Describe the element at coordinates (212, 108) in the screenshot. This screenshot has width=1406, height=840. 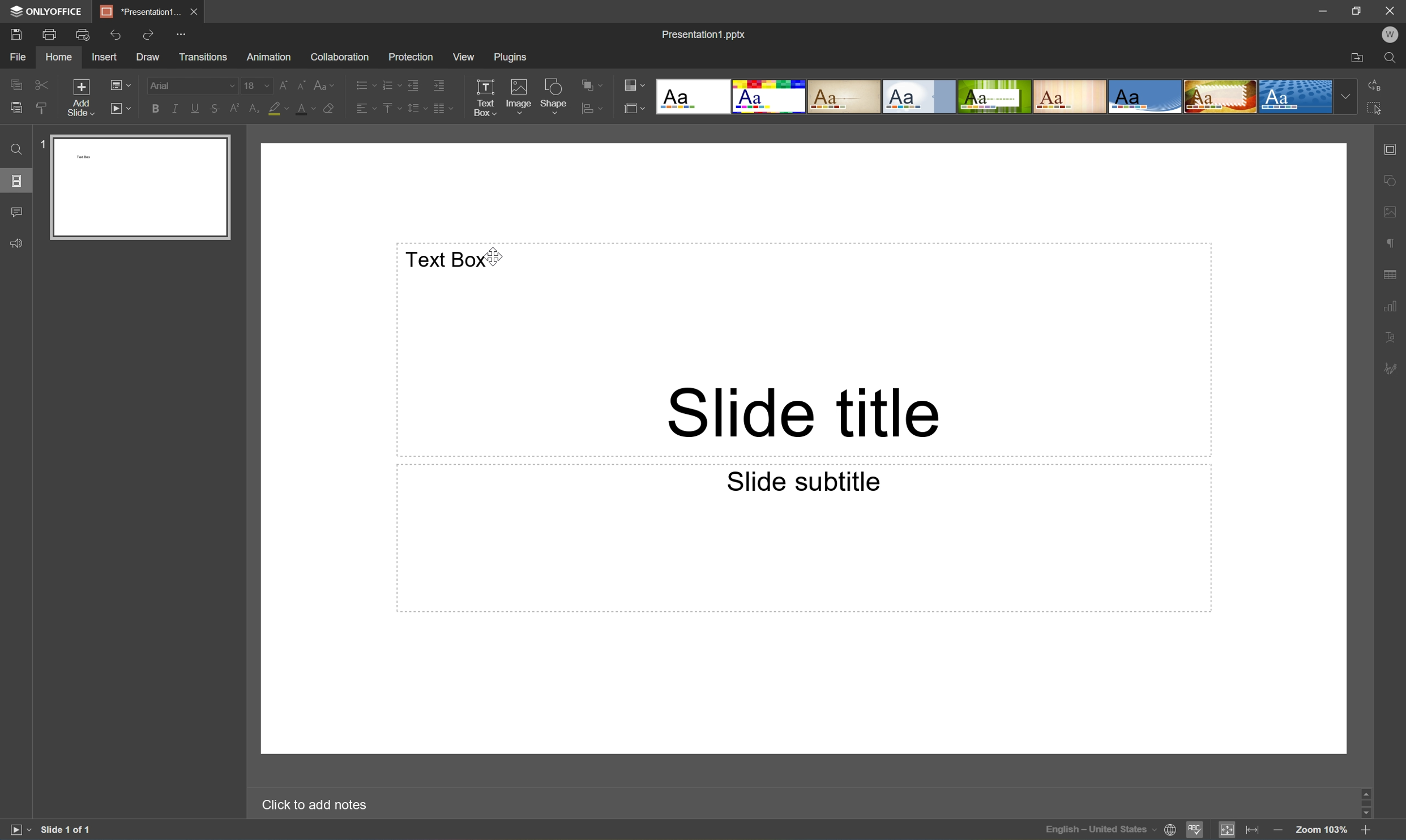
I see `Strikethrough` at that location.